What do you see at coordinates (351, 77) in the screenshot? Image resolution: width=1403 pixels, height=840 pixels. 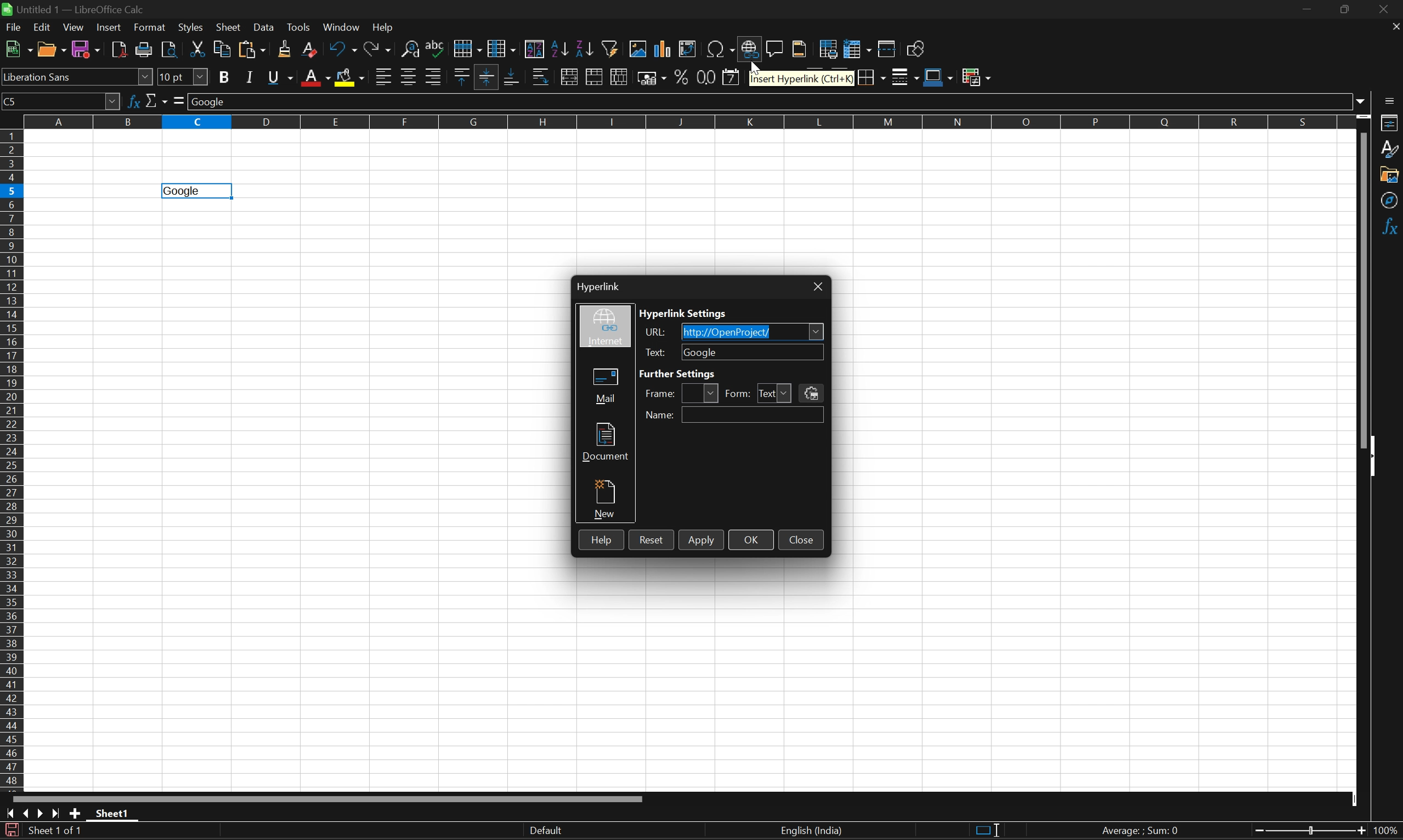 I see `Background color` at bounding box center [351, 77].